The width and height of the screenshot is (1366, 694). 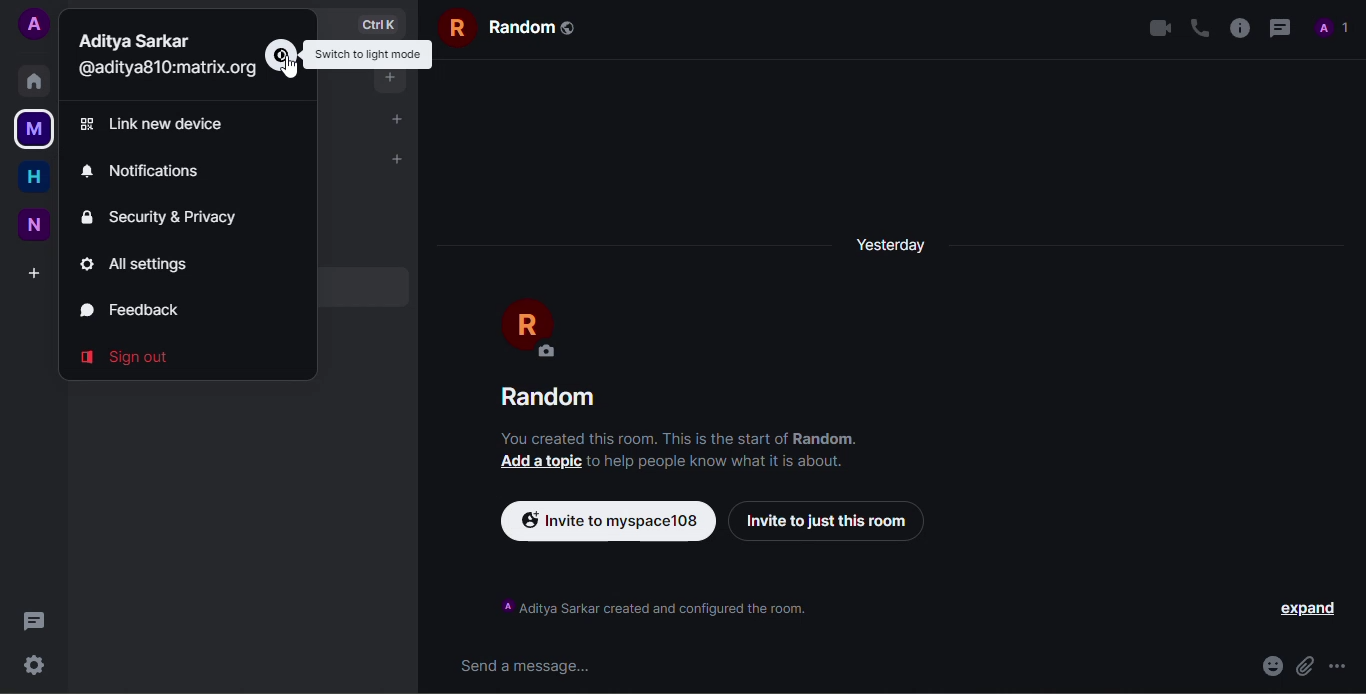 I want to click on Ctrl K, so click(x=375, y=21).